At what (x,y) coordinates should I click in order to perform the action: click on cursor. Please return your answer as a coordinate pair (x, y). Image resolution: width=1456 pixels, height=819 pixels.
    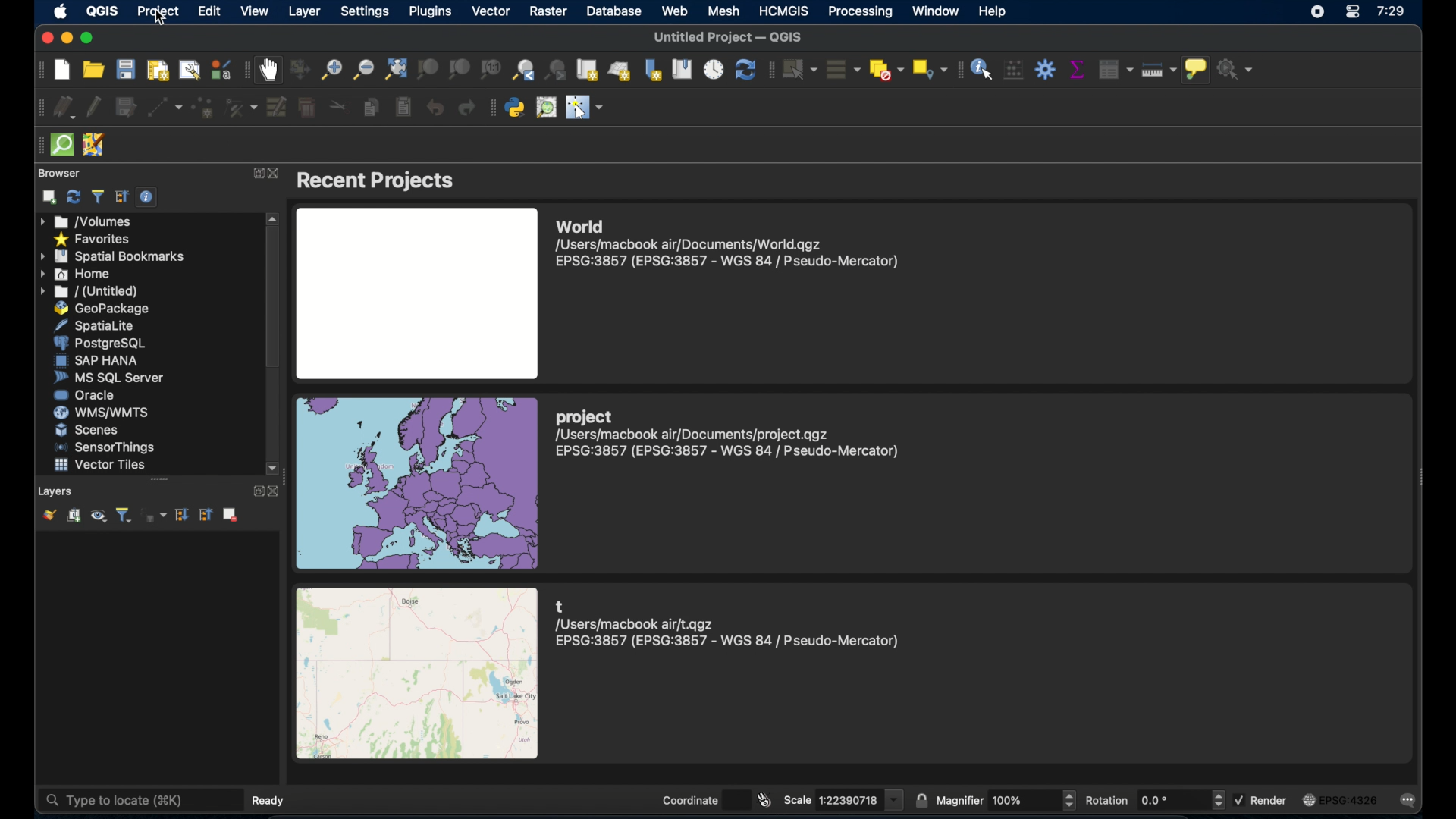
    Looking at the image, I should click on (165, 22).